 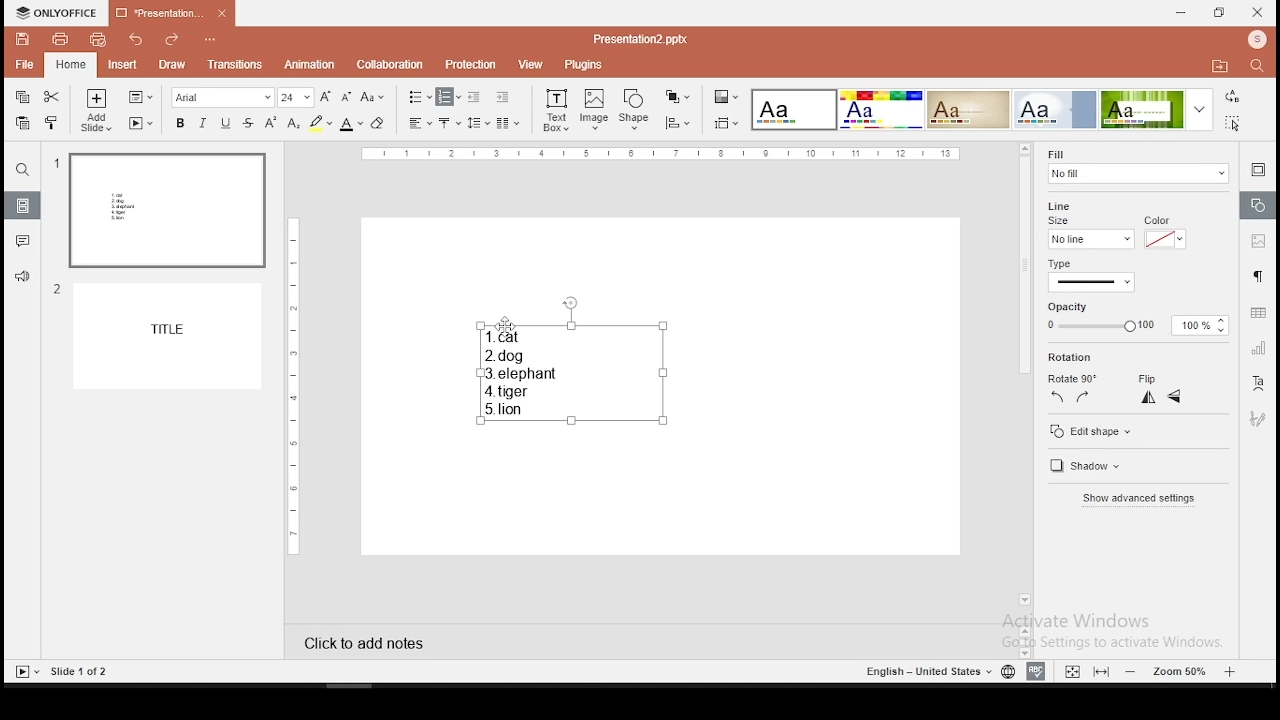 I want to click on vertical alignment, so click(x=451, y=122).